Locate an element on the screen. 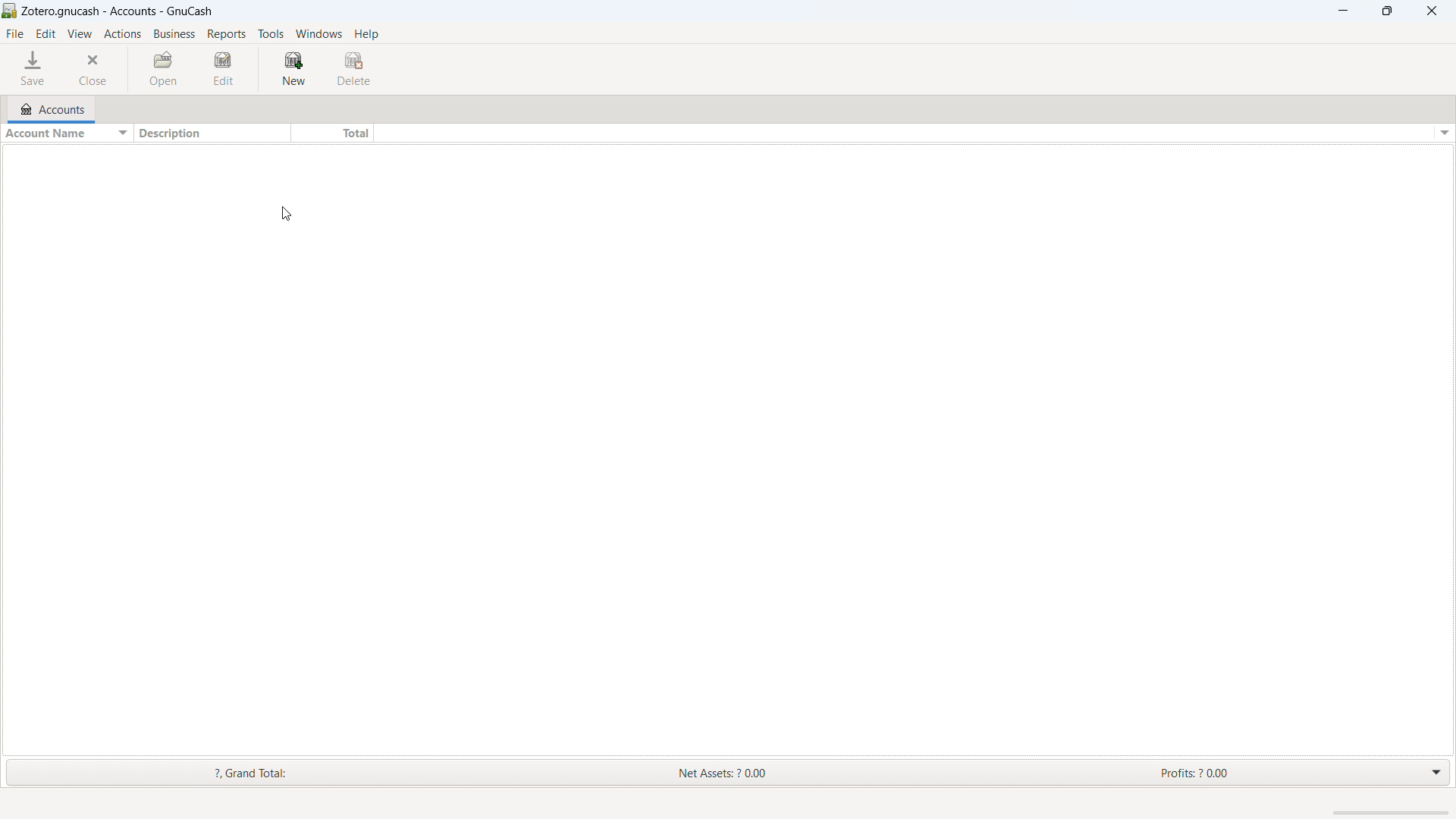 The image size is (1456, 819). drop down menu is located at coordinates (1437, 770).